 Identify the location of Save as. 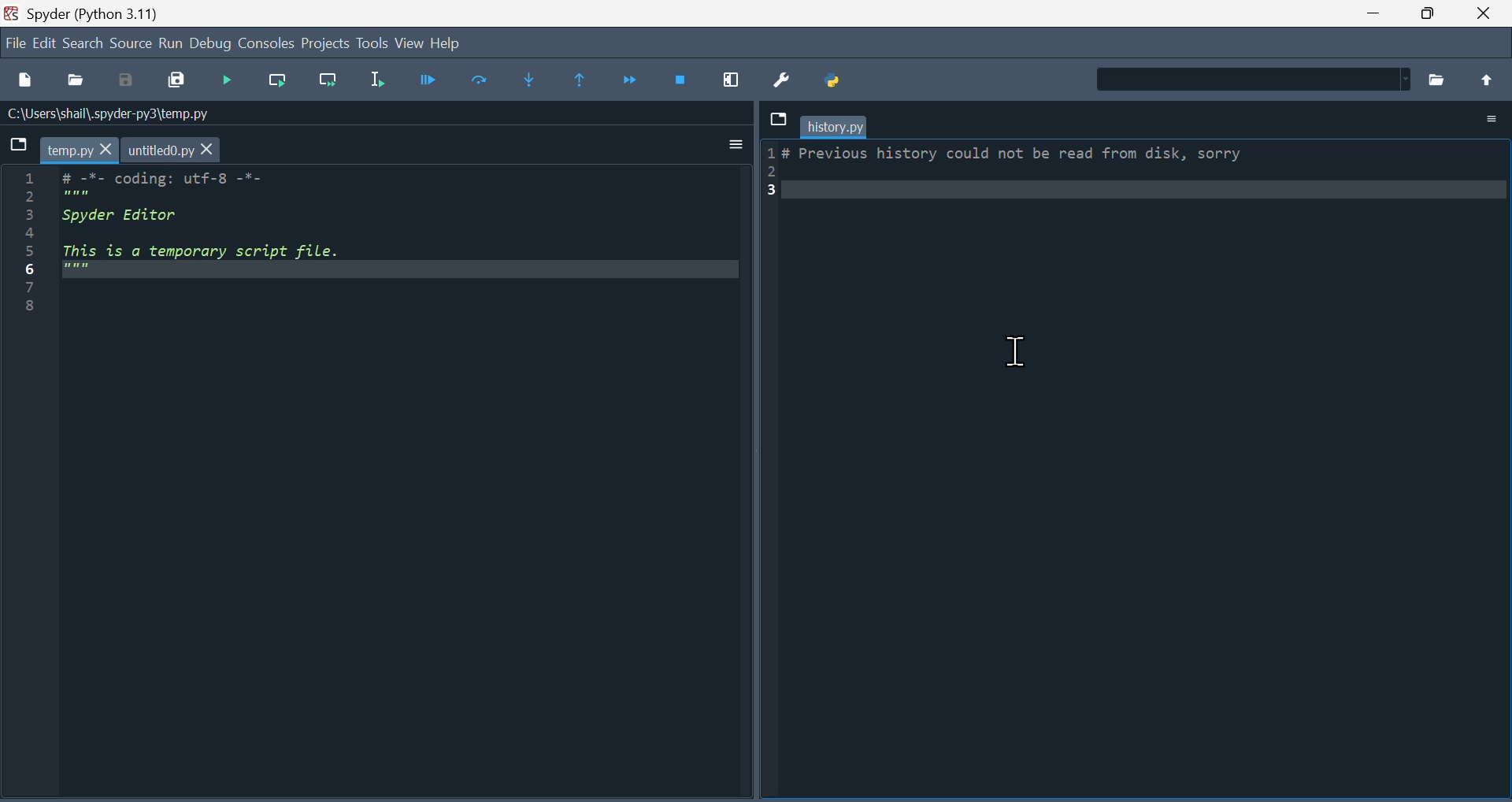
(130, 80).